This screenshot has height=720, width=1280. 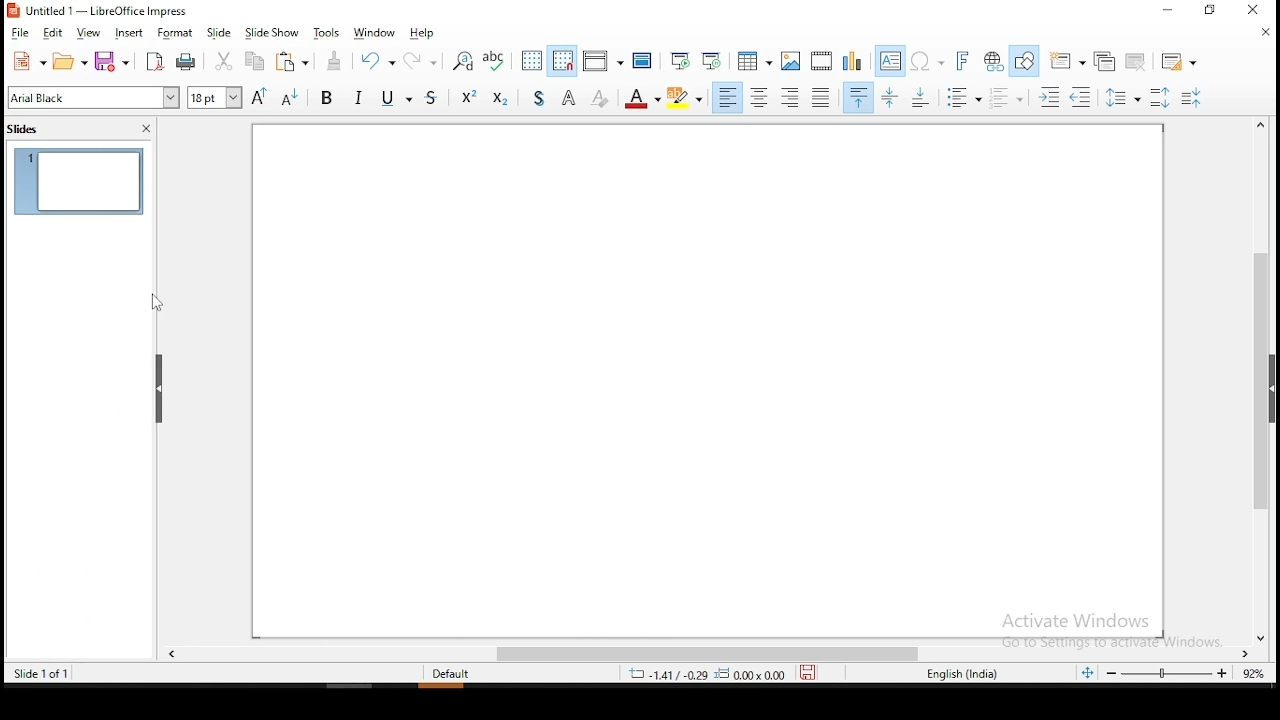 I want to click on delete slide, so click(x=1135, y=63).